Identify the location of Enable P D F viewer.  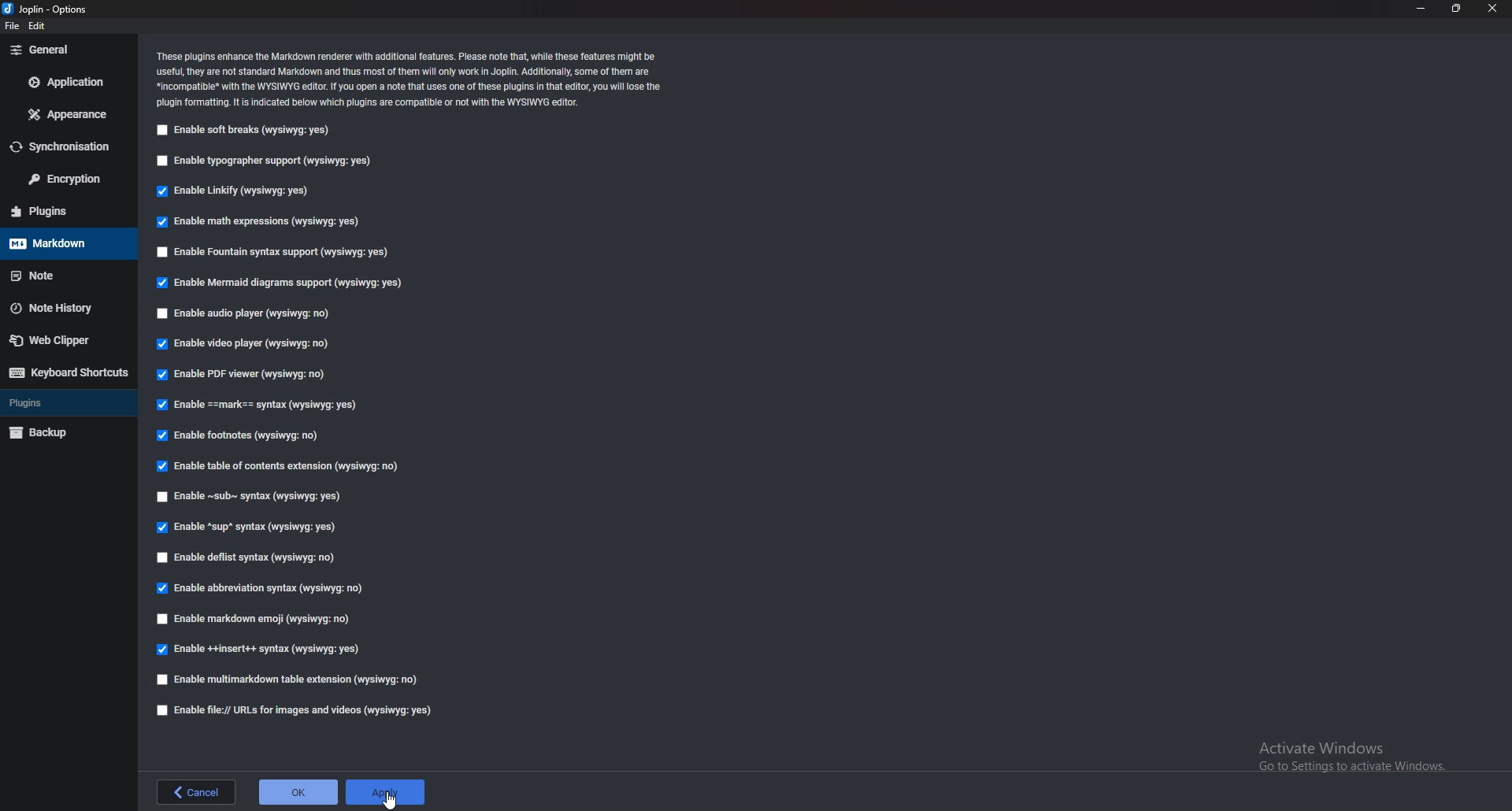
(246, 376).